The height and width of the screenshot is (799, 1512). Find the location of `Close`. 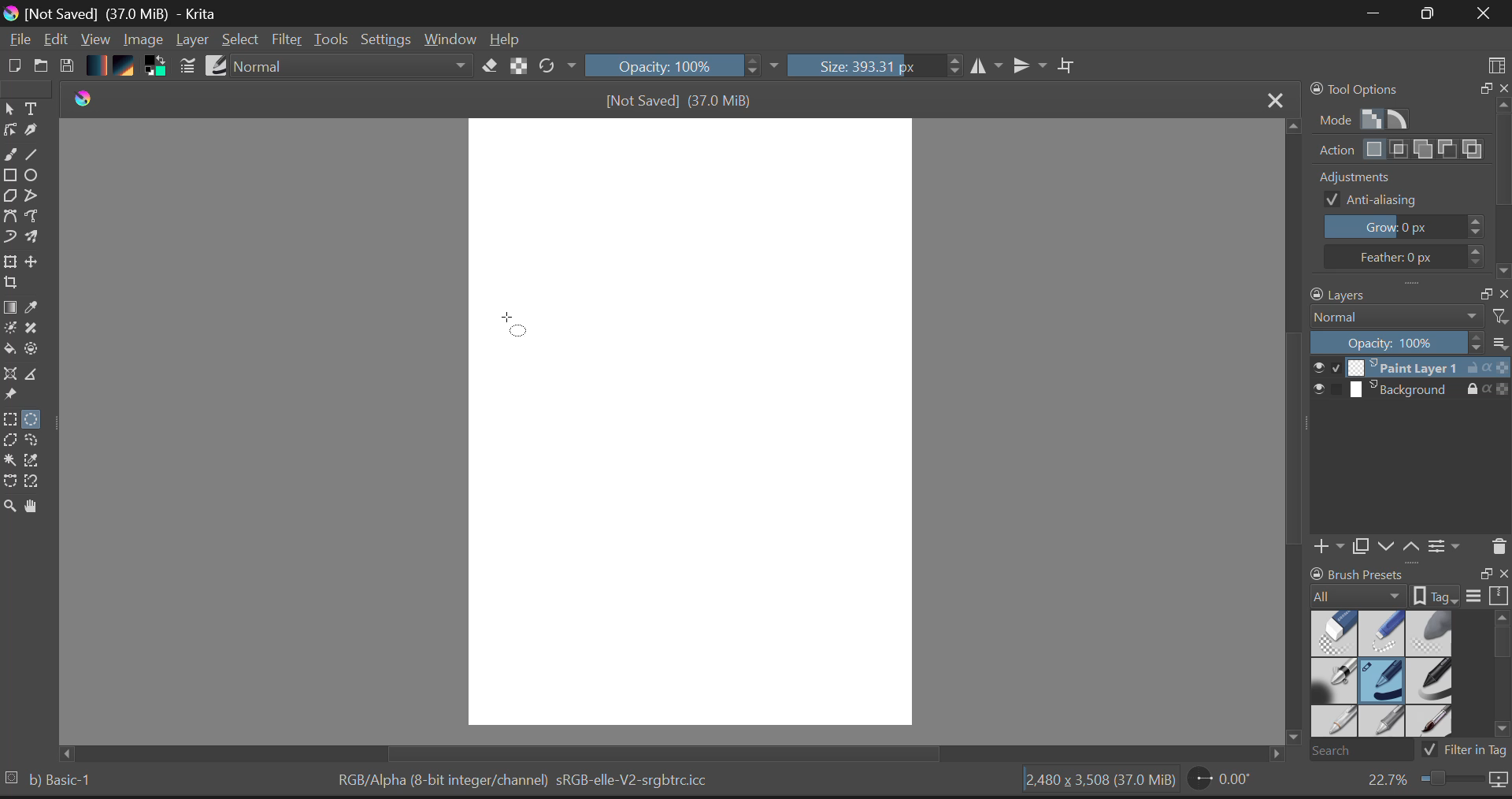

Close is located at coordinates (1480, 15).